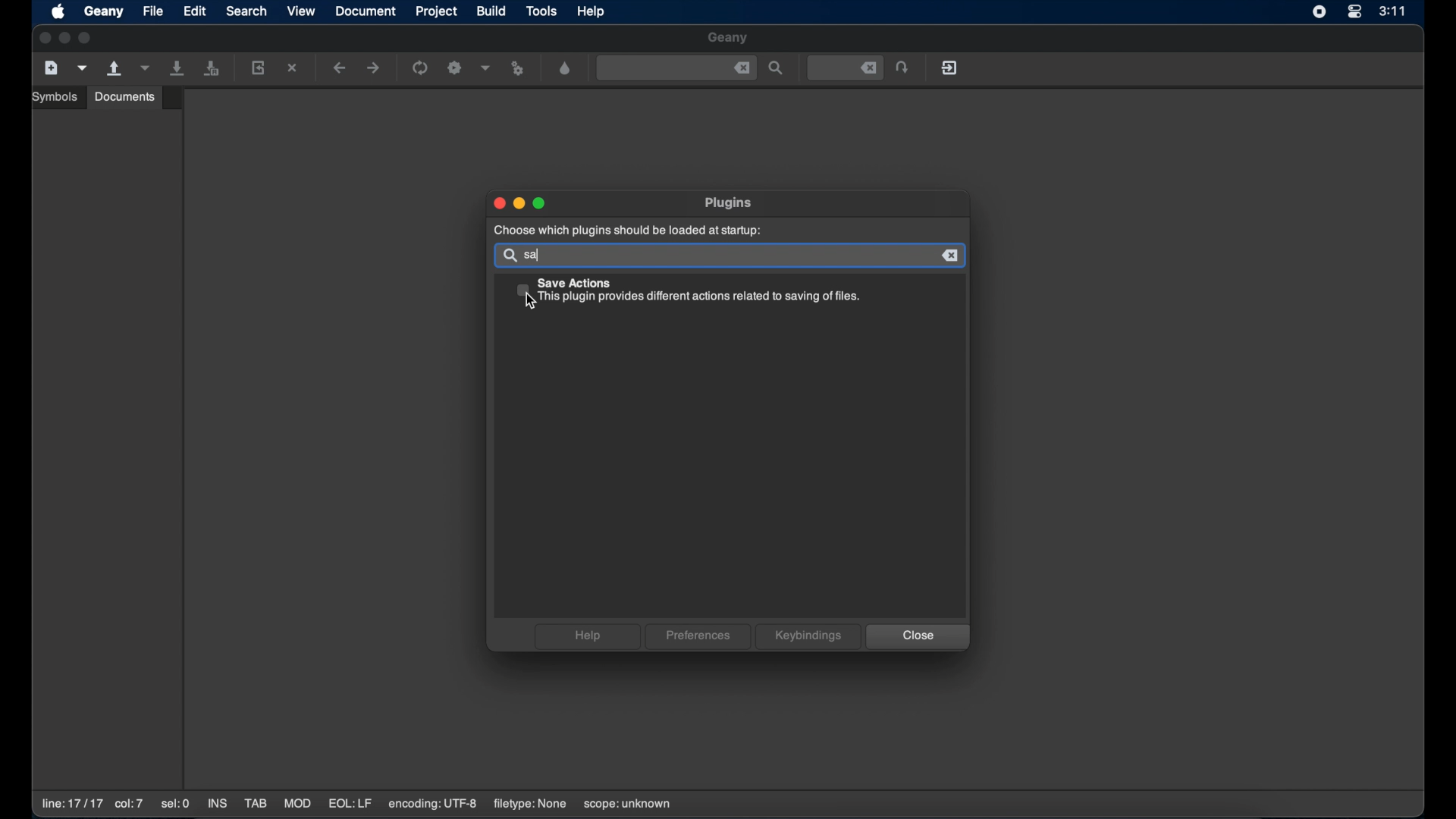 This screenshot has width=1456, height=819. I want to click on control center, so click(1354, 13).